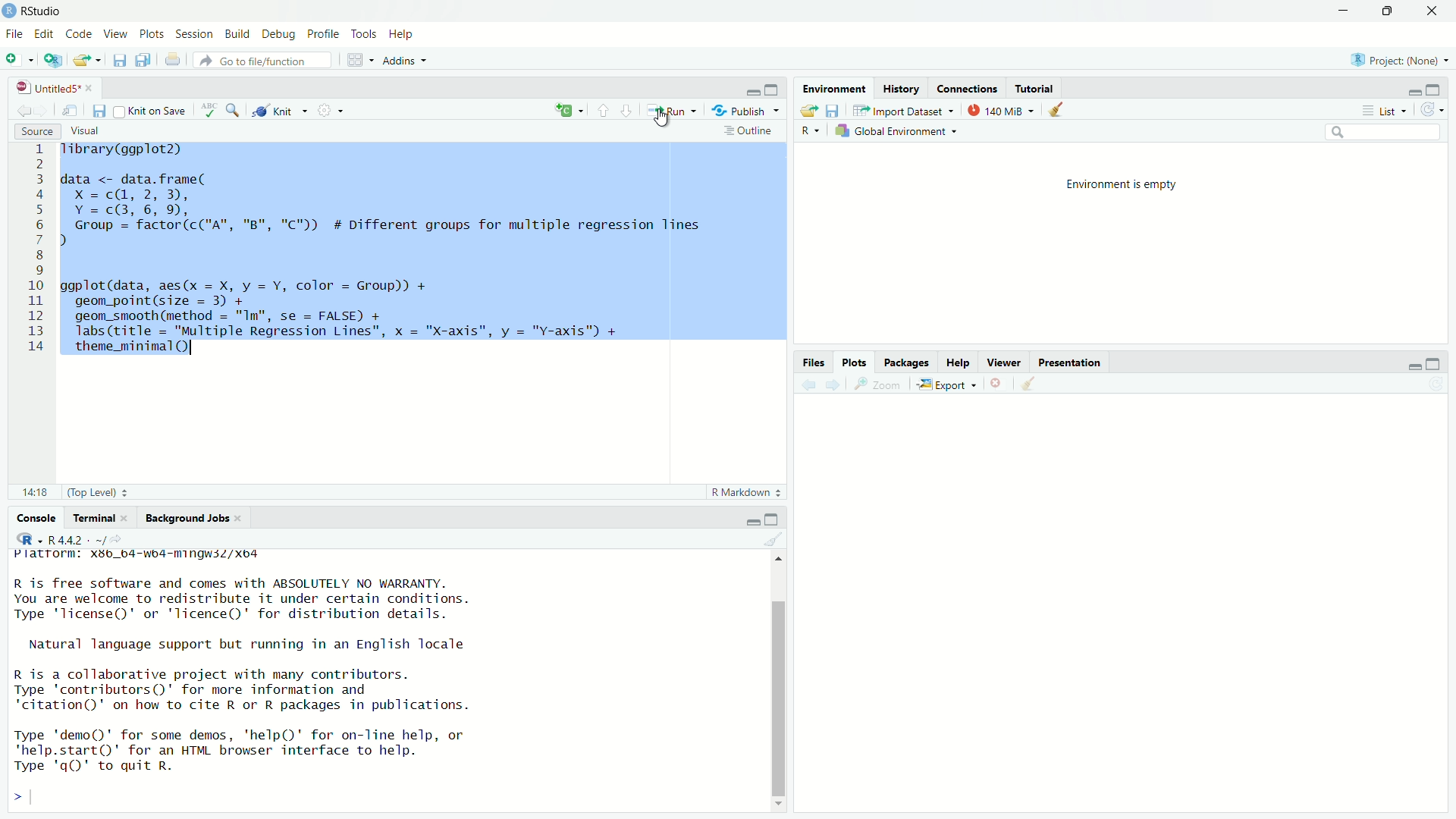 The width and height of the screenshot is (1456, 819). I want to click on Knit, so click(281, 111).